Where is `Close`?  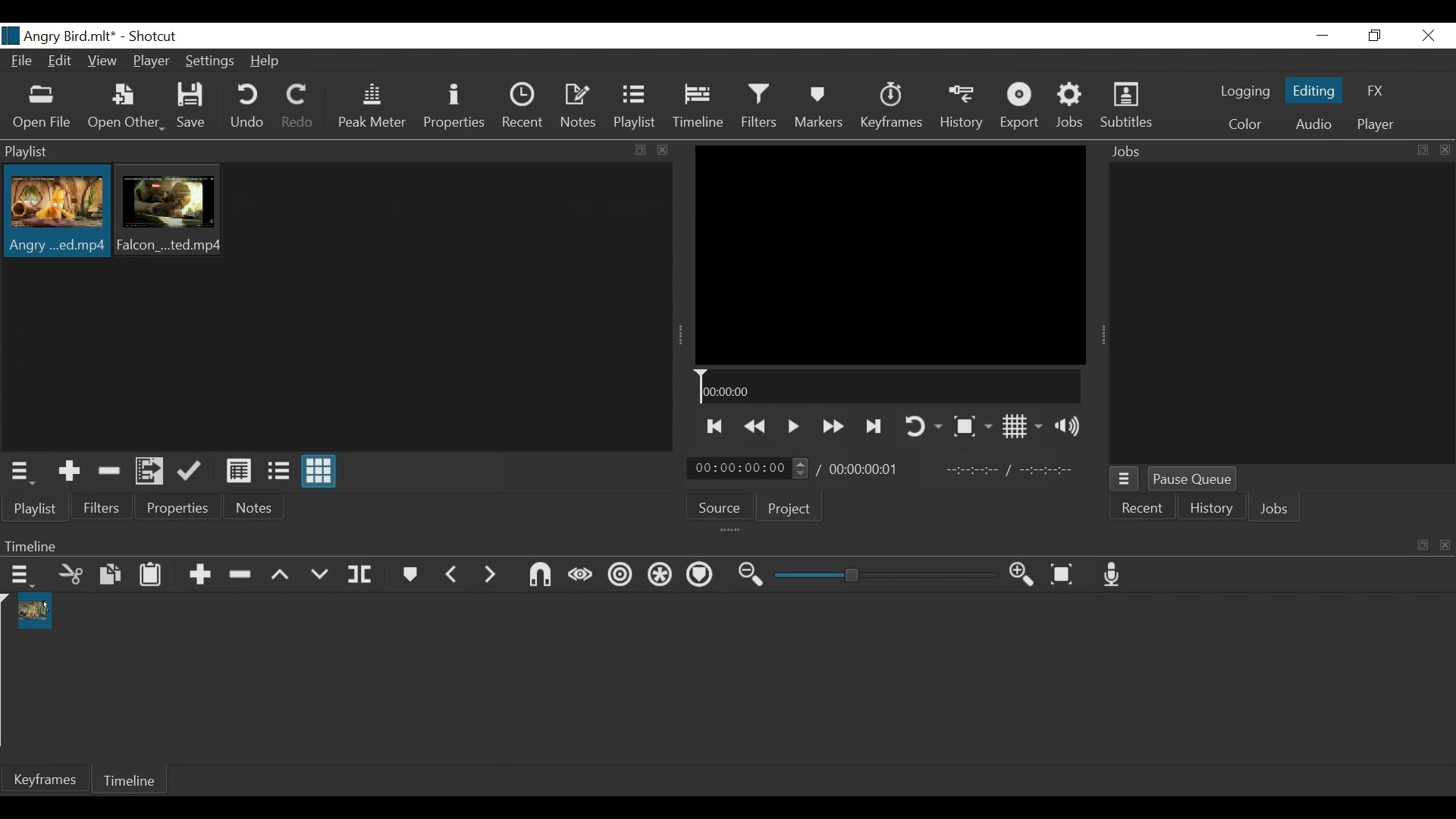
Close is located at coordinates (1428, 35).